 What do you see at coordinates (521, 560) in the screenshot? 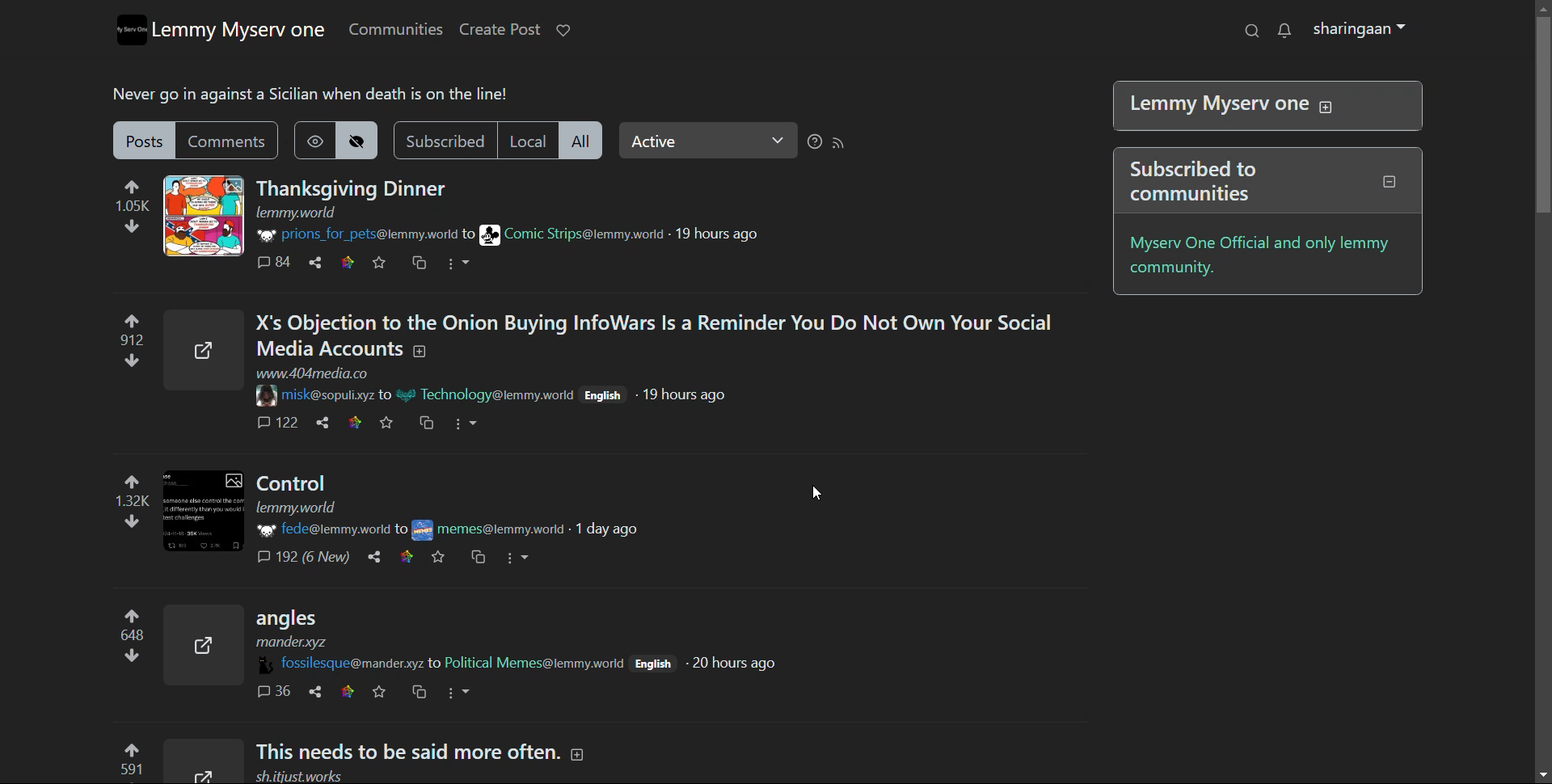
I see `More` at bounding box center [521, 560].